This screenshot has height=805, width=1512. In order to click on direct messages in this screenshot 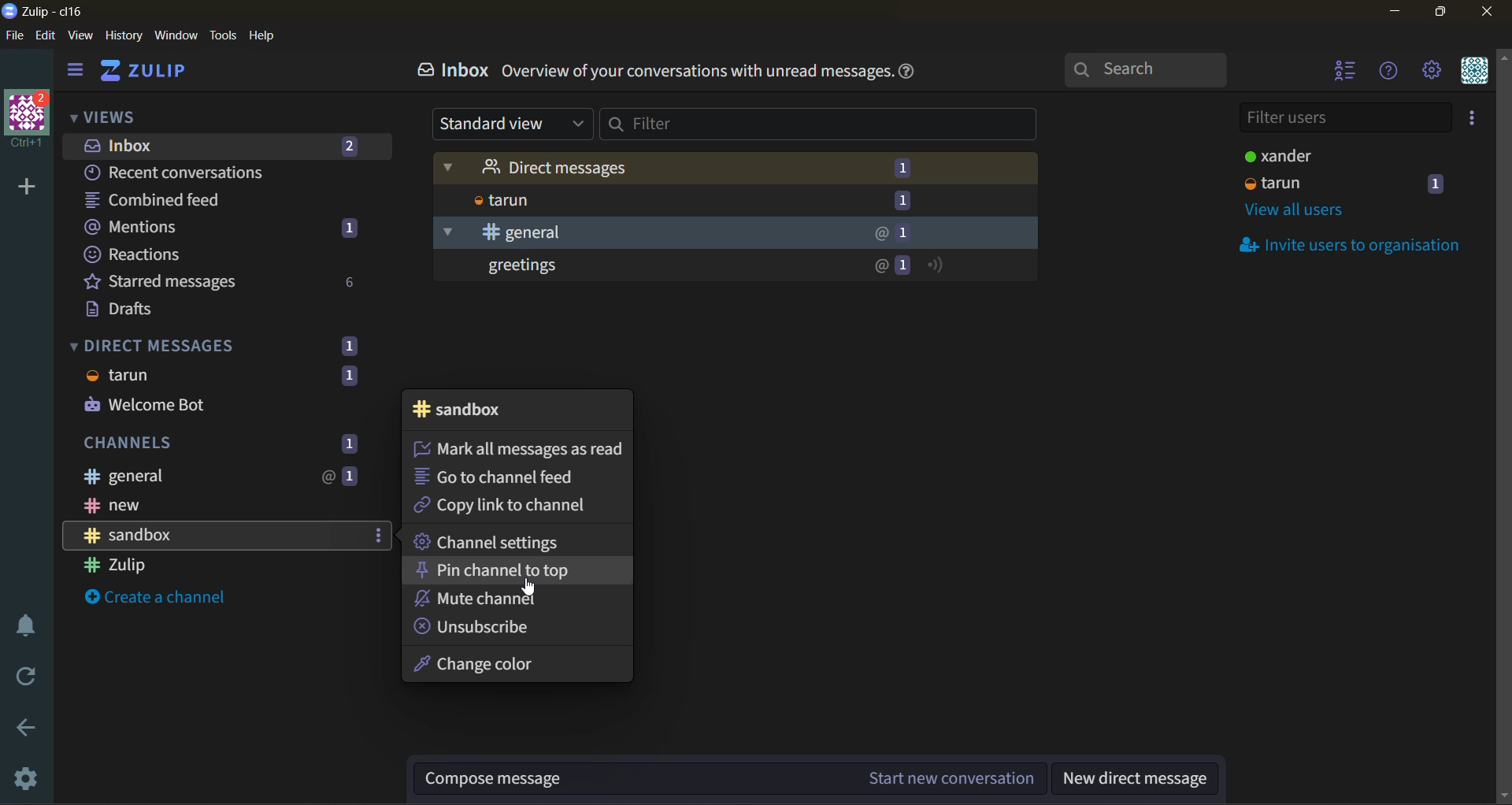, I will do `click(215, 373)`.